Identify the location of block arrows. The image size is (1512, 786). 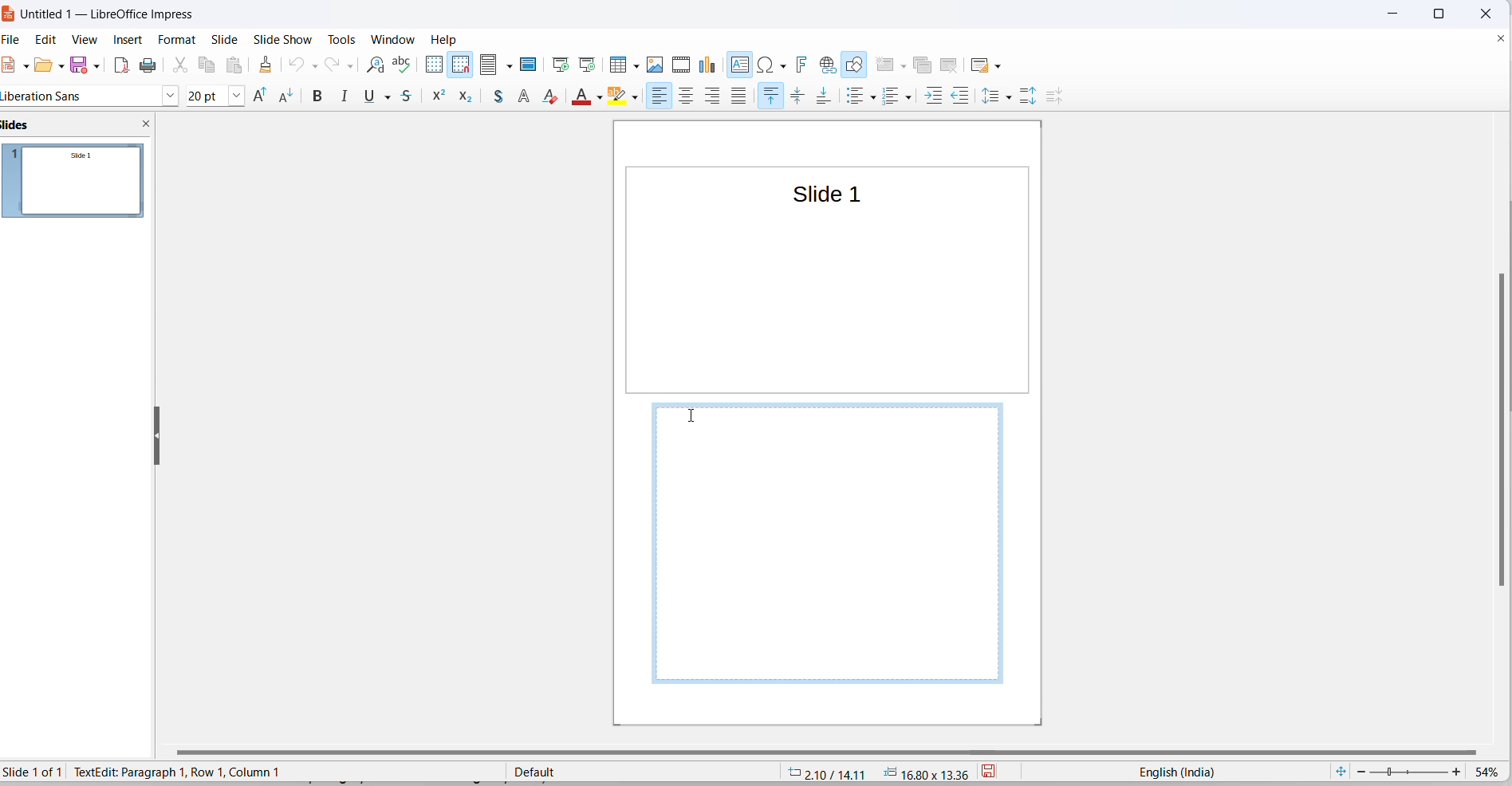
(413, 98).